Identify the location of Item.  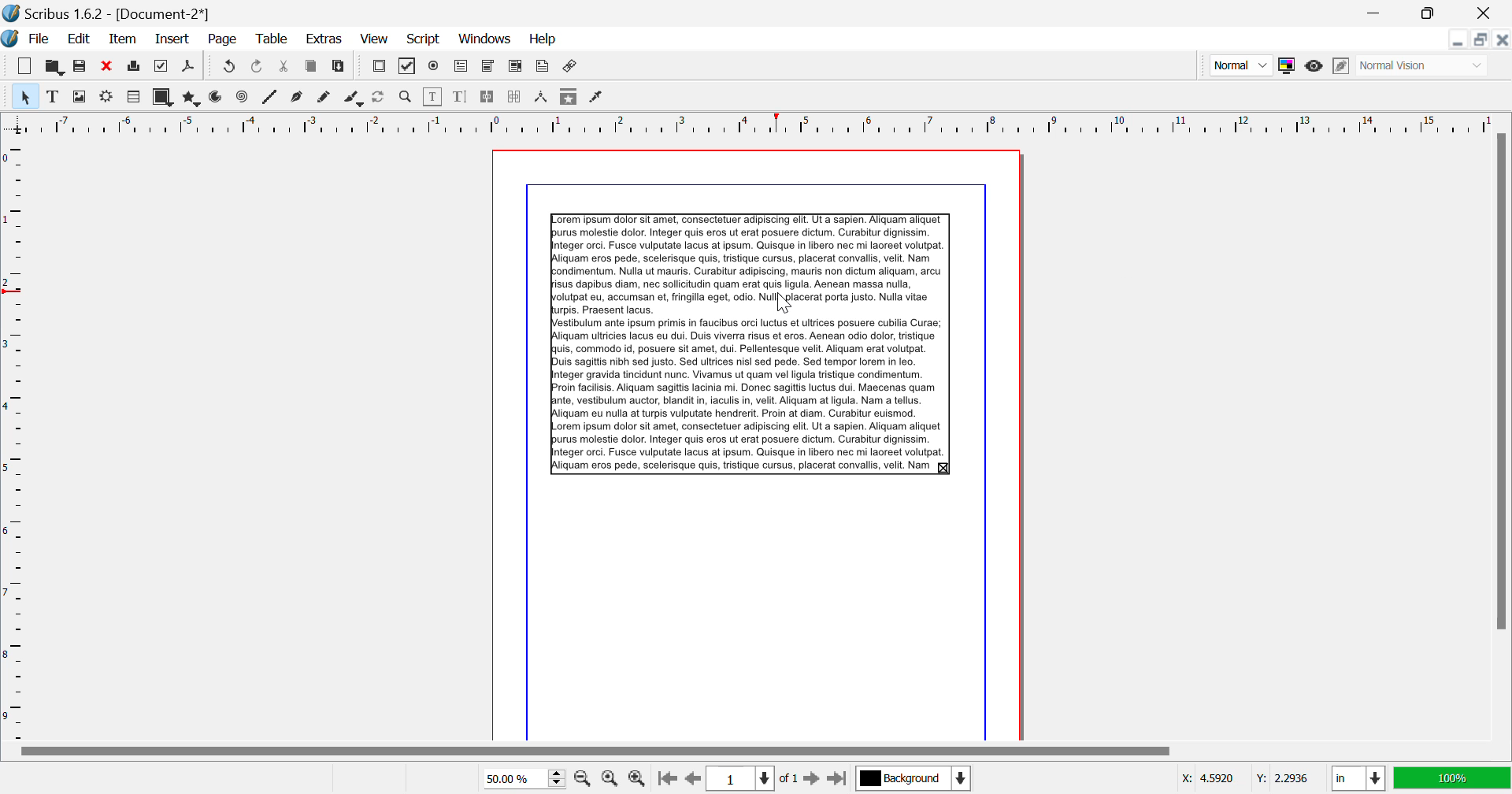
(124, 39).